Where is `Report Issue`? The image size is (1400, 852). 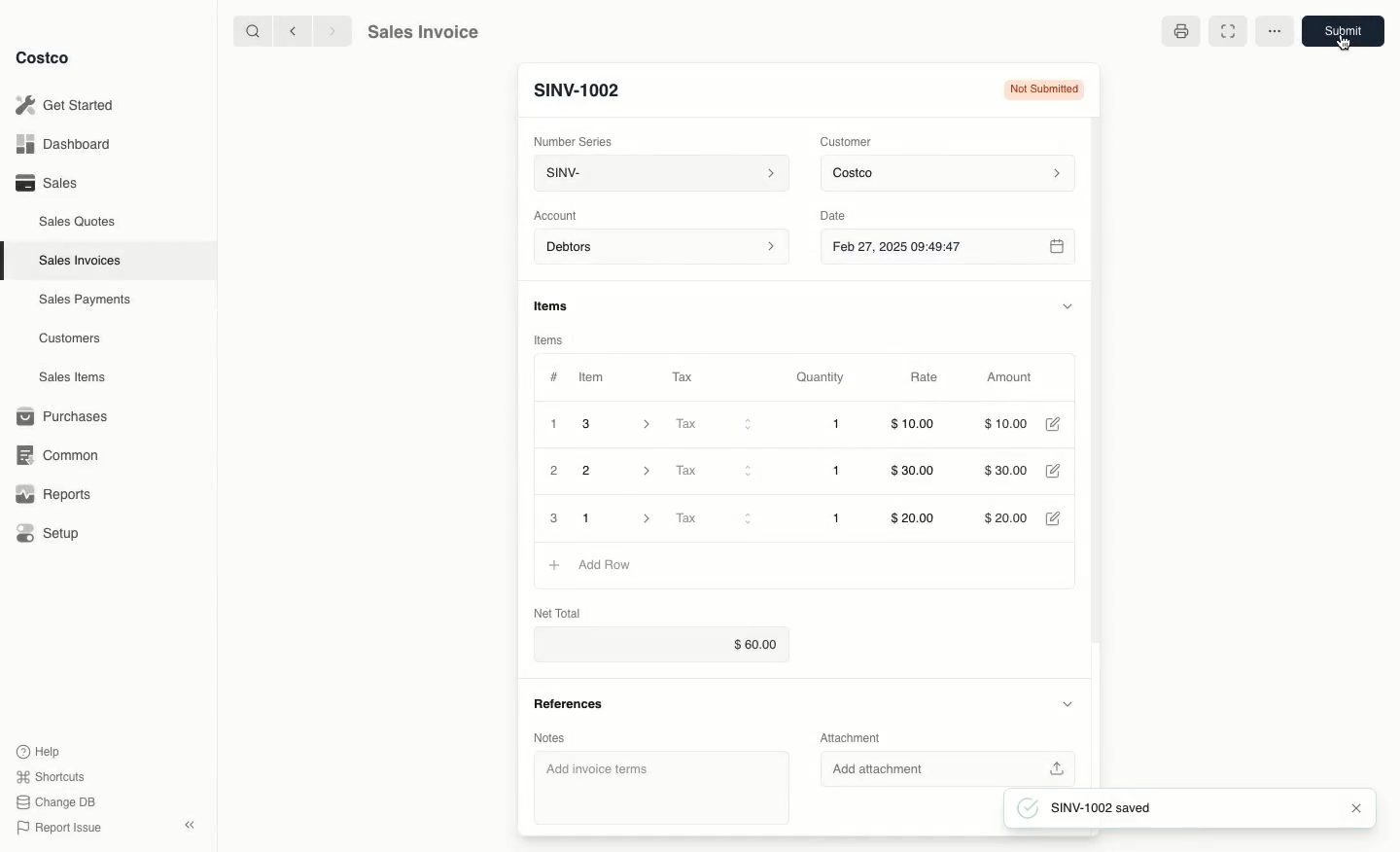 Report Issue is located at coordinates (59, 828).